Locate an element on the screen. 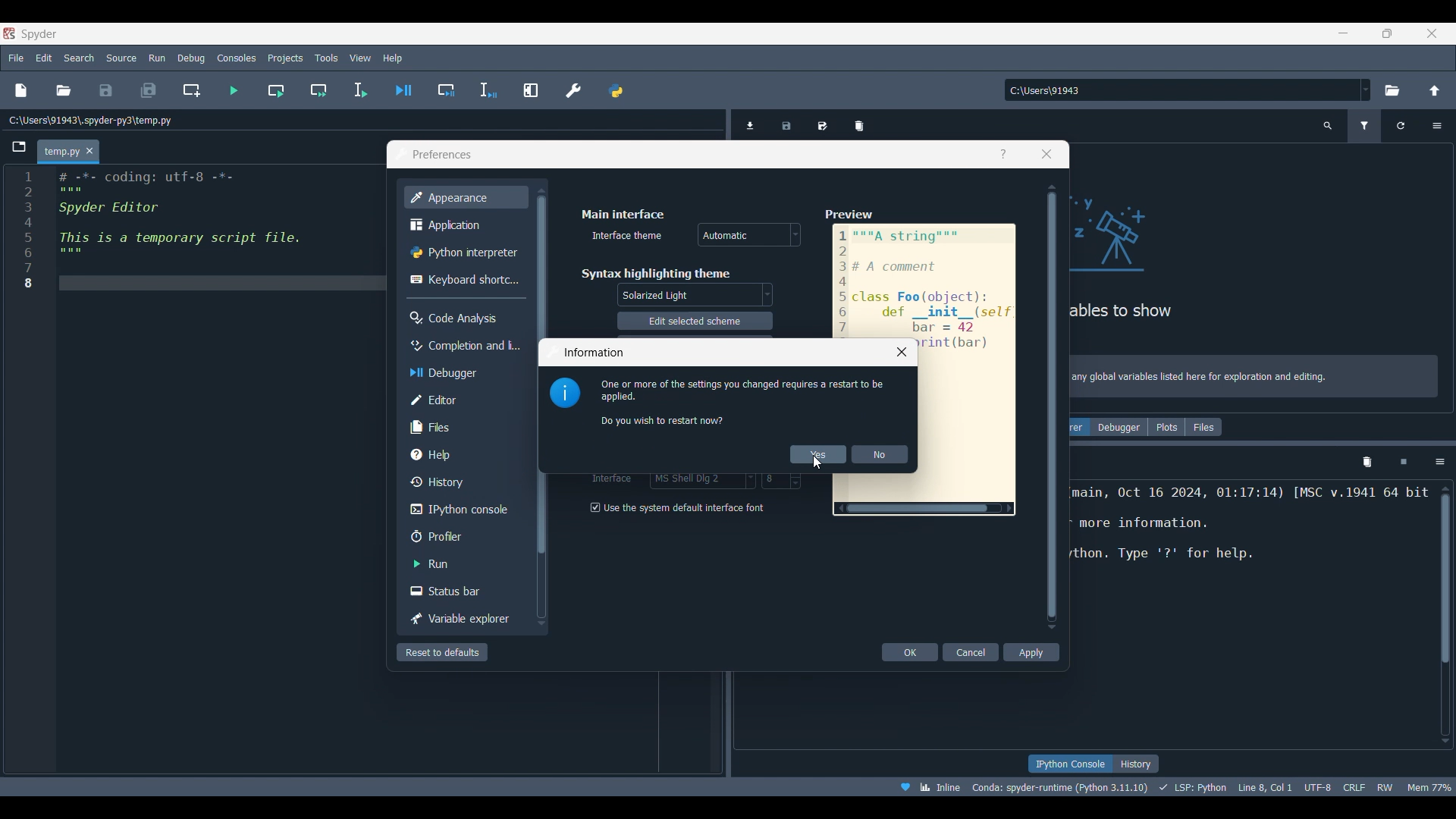 Image resolution: width=1456 pixels, height=819 pixels. Variable explorer is located at coordinates (464, 619).